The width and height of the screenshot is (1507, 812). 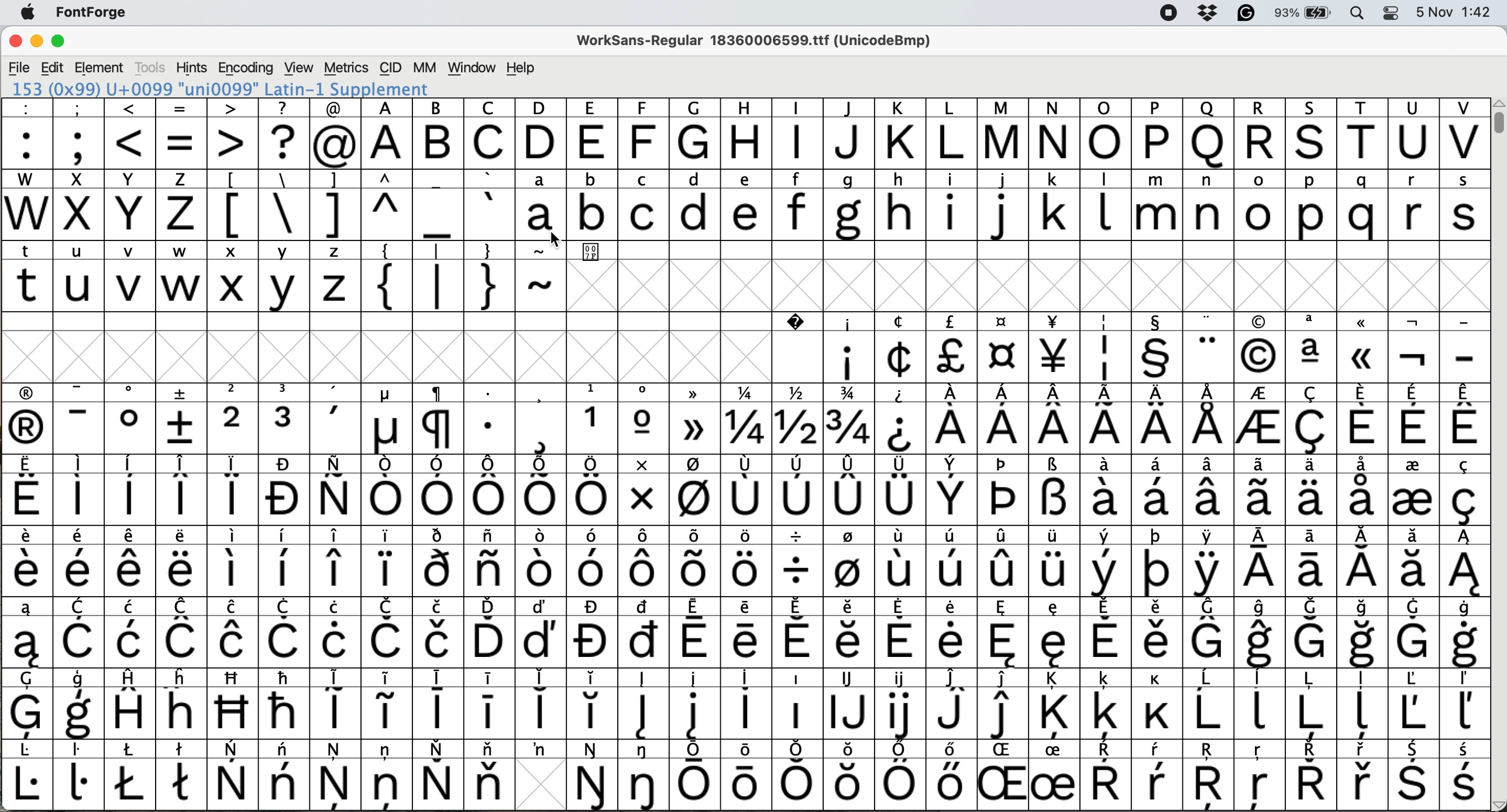 What do you see at coordinates (1157, 704) in the screenshot?
I see `symbol` at bounding box center [1157, 704].